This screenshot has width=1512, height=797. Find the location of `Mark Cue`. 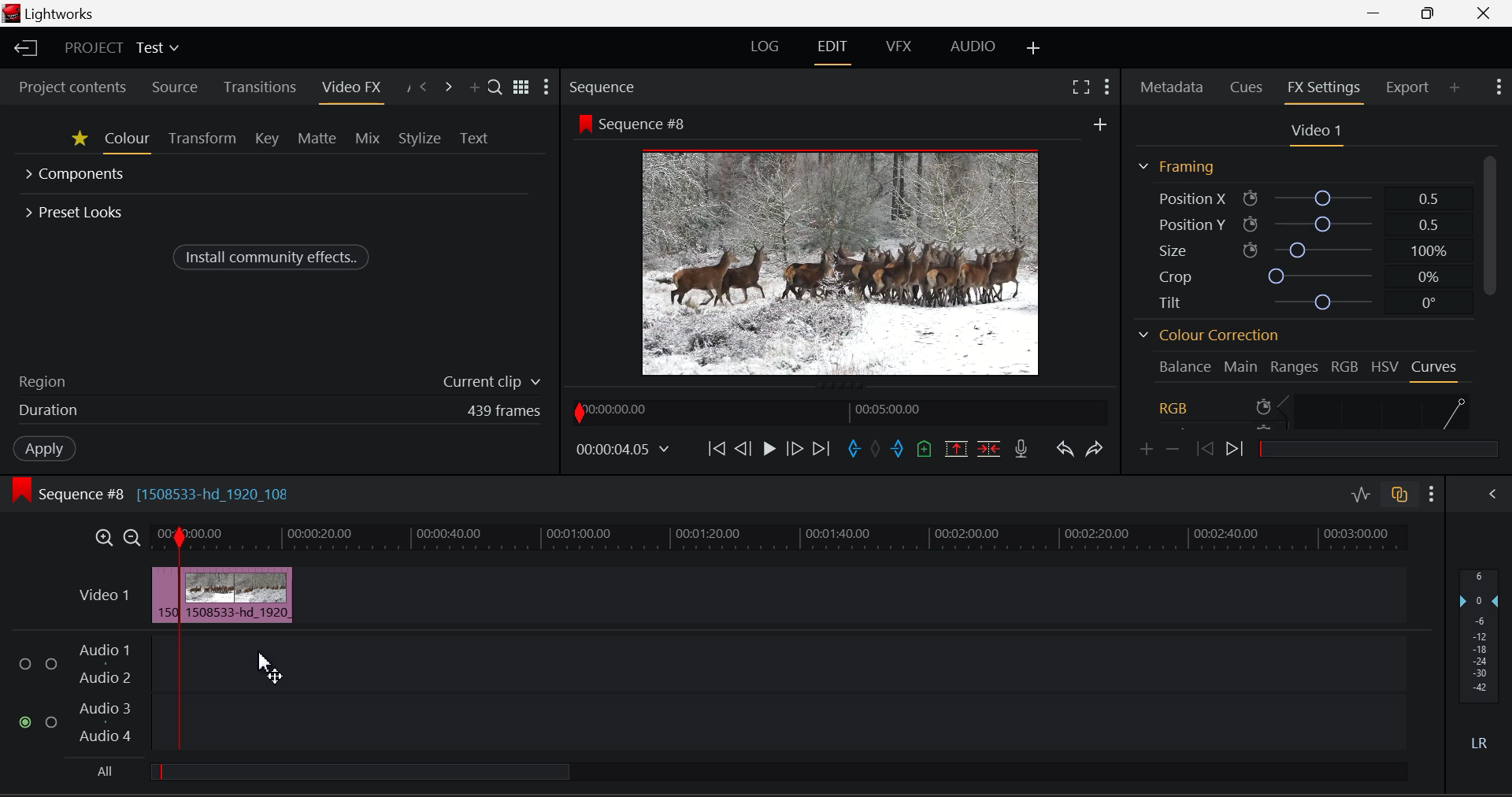

Mark Cue is located at coordinates (922, 451).